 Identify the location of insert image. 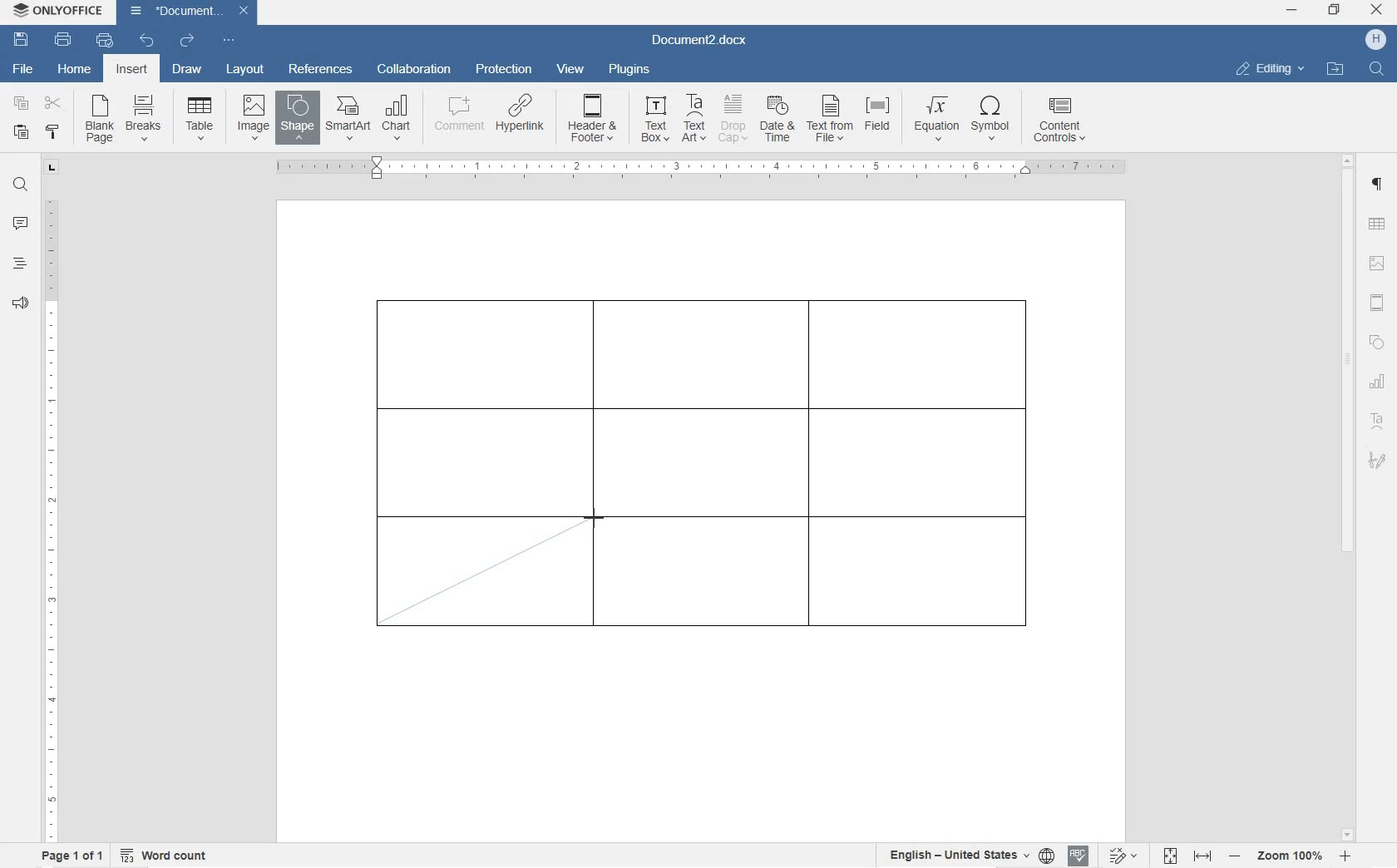
(254, 116).